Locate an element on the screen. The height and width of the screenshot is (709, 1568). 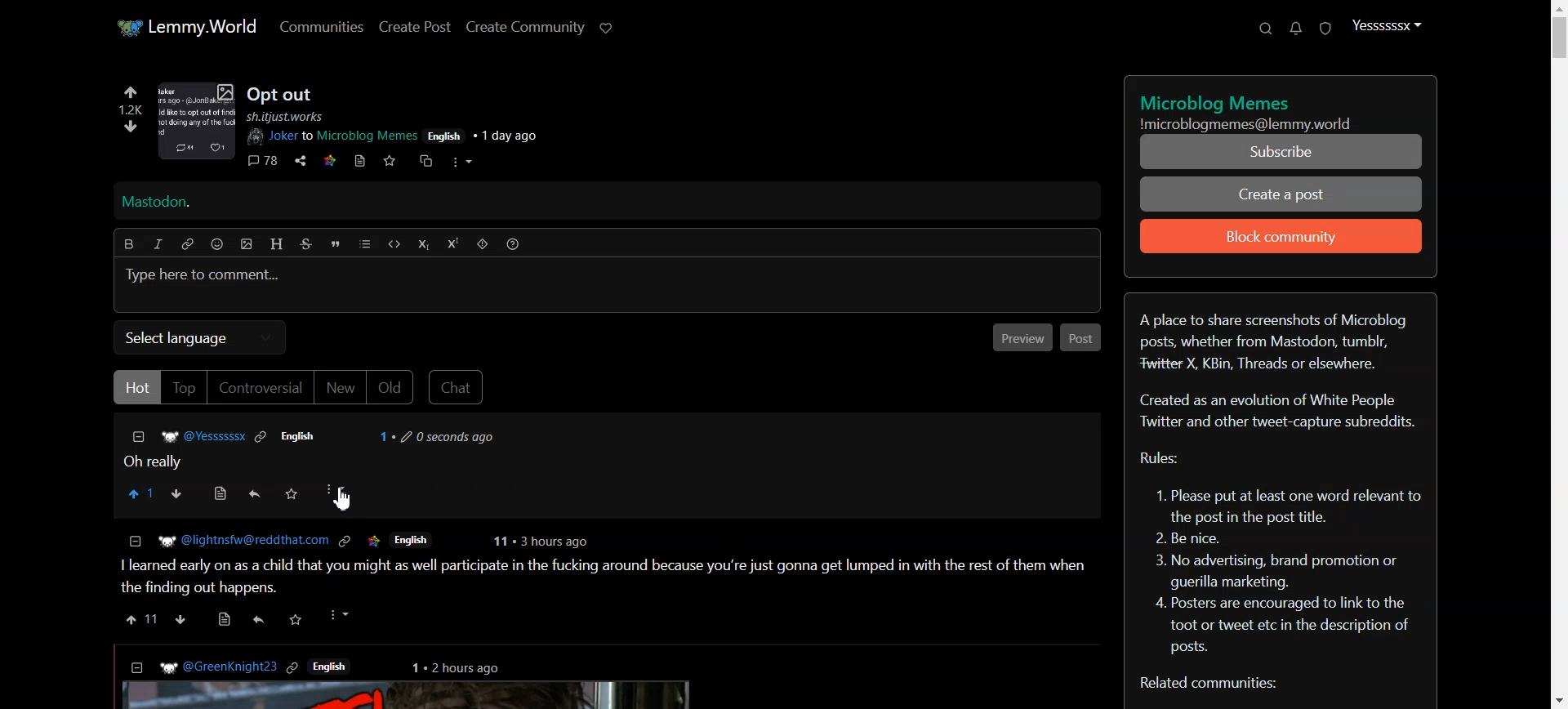
New is located at coordinates (341, 388).